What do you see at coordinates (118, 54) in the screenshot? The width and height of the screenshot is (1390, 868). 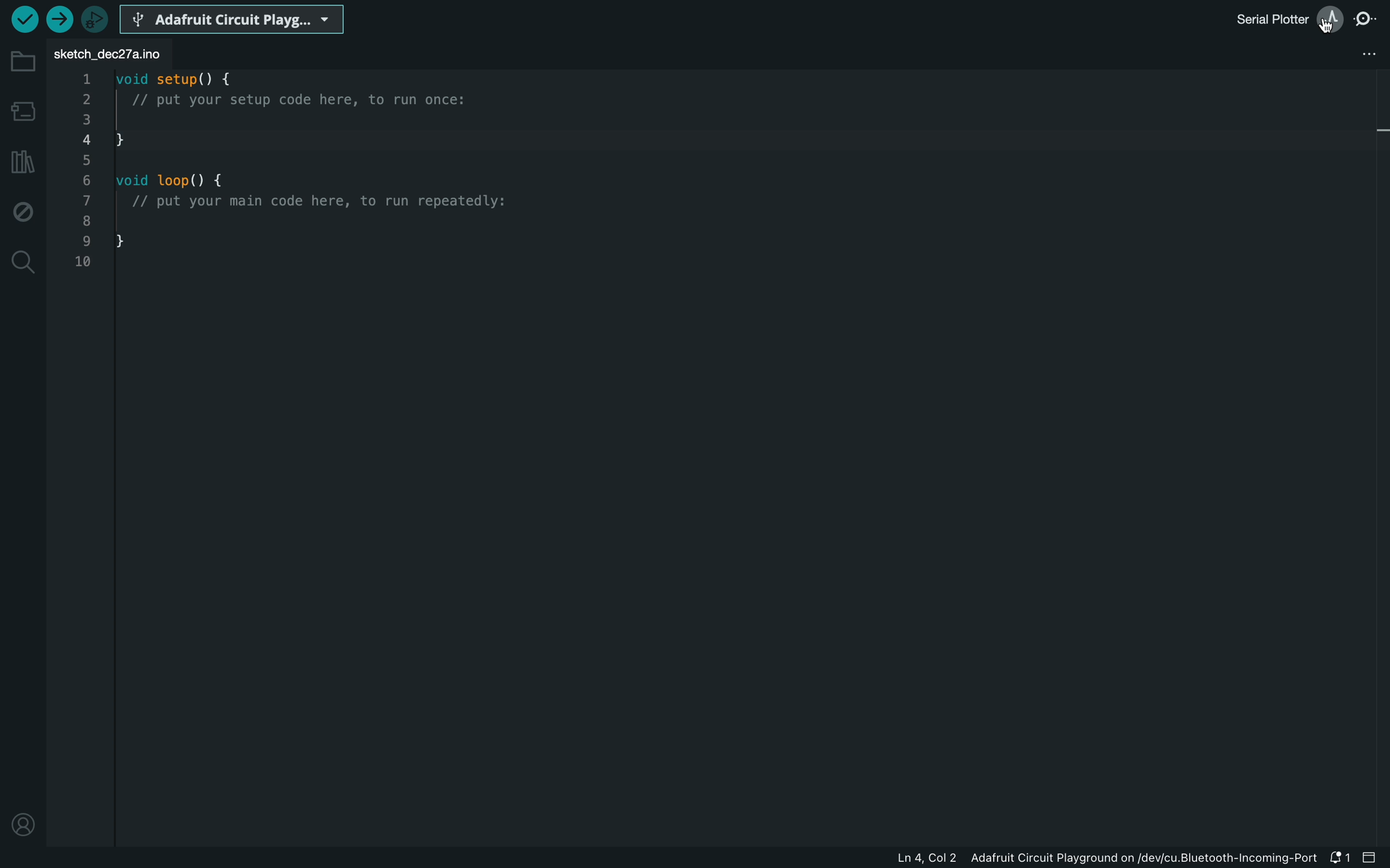 I see `sketch_dec271.ino` at bounding box center [118, 54].